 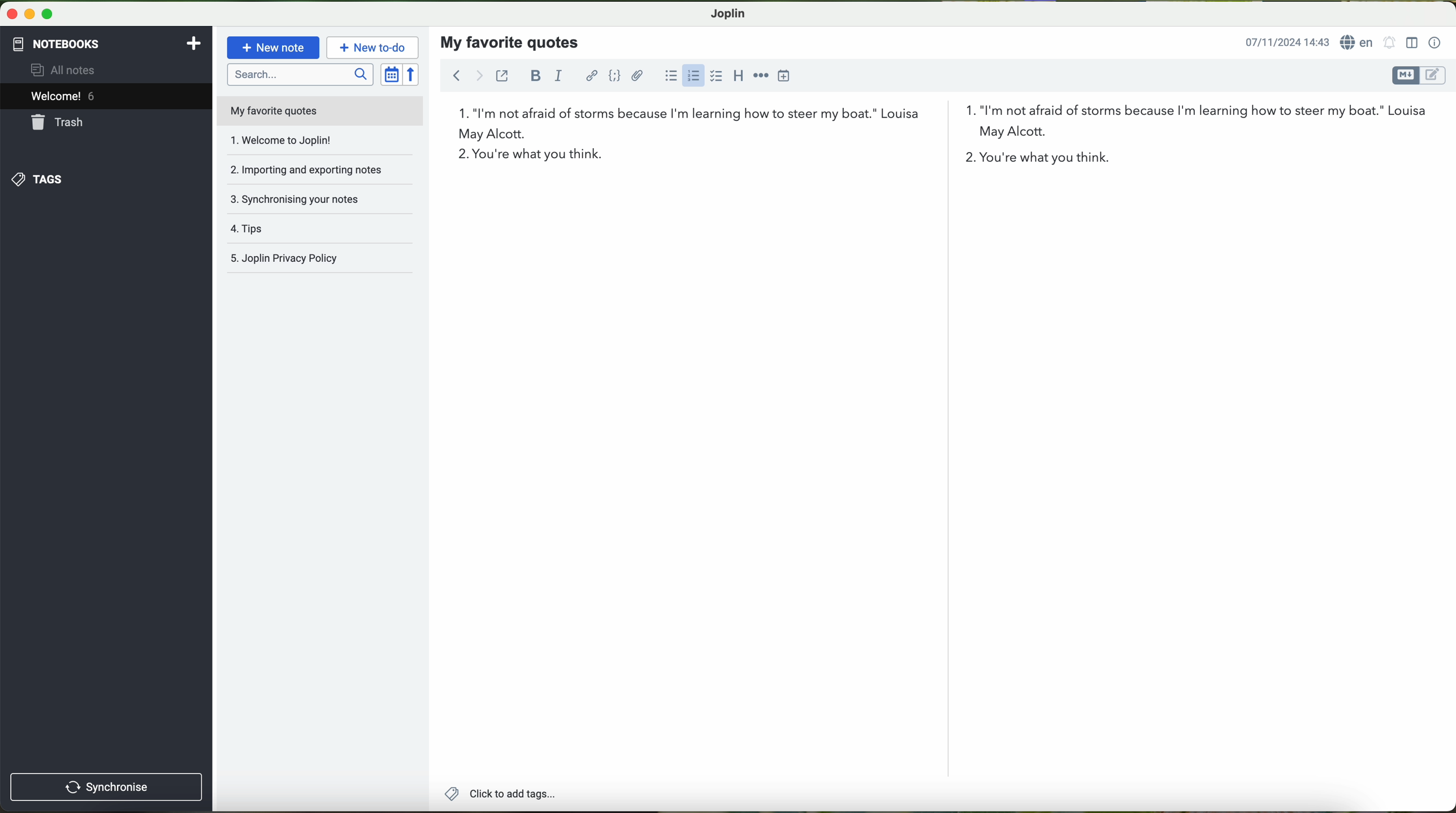 I want to click on note properties, so click(x=1436, y=42).